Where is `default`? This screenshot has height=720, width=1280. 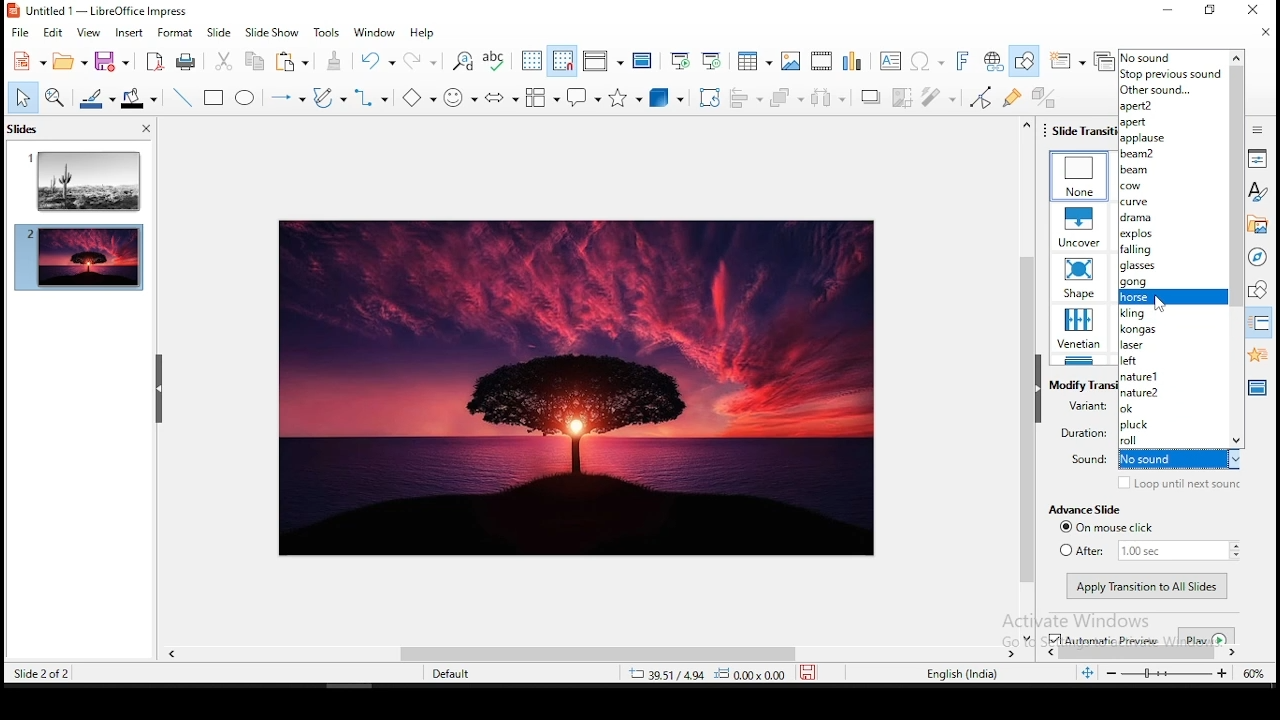
default is located at coordinates (455, 674).